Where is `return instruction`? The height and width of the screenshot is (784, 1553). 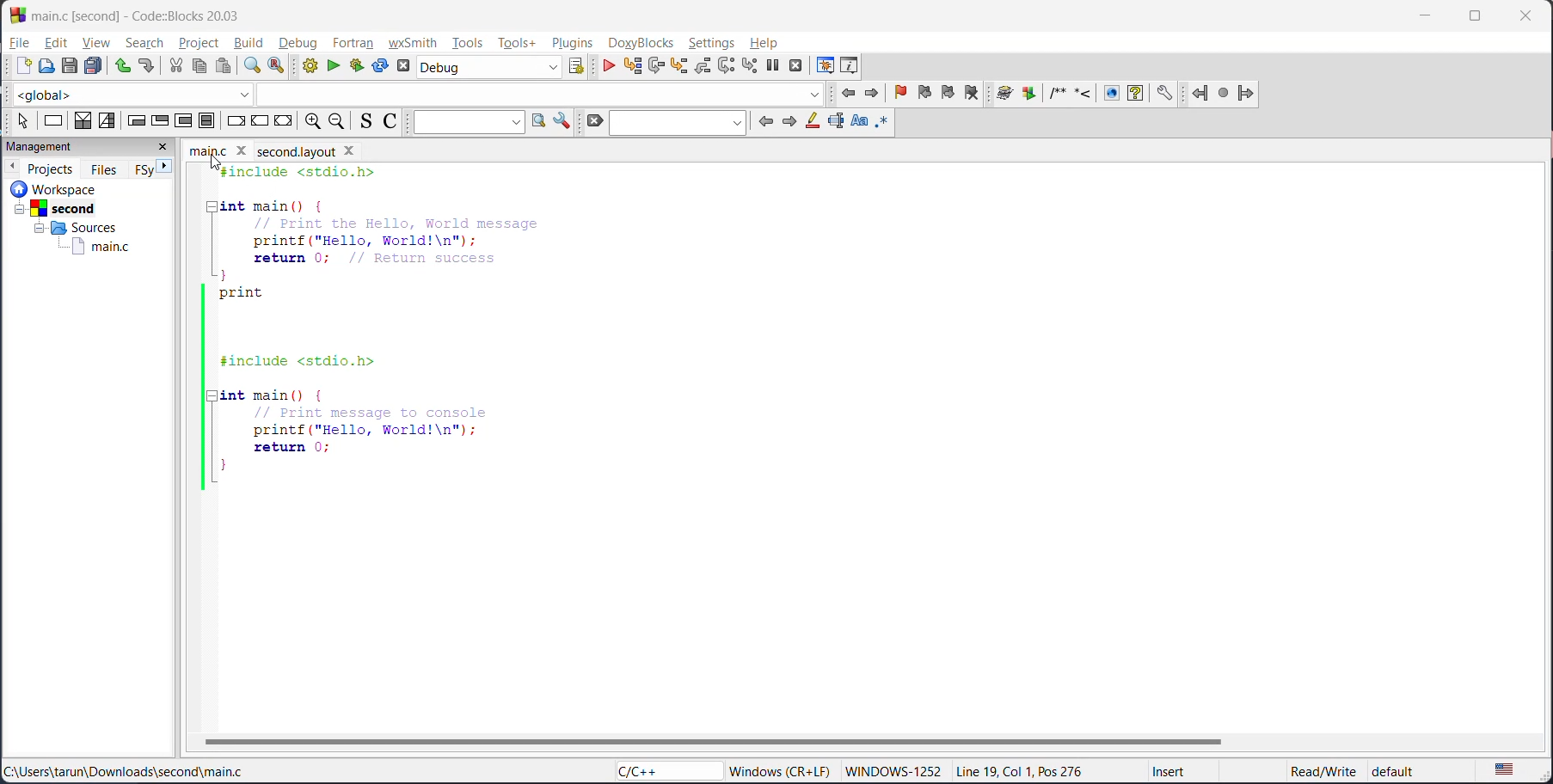 return instruction is located at coordinates (284, 121).